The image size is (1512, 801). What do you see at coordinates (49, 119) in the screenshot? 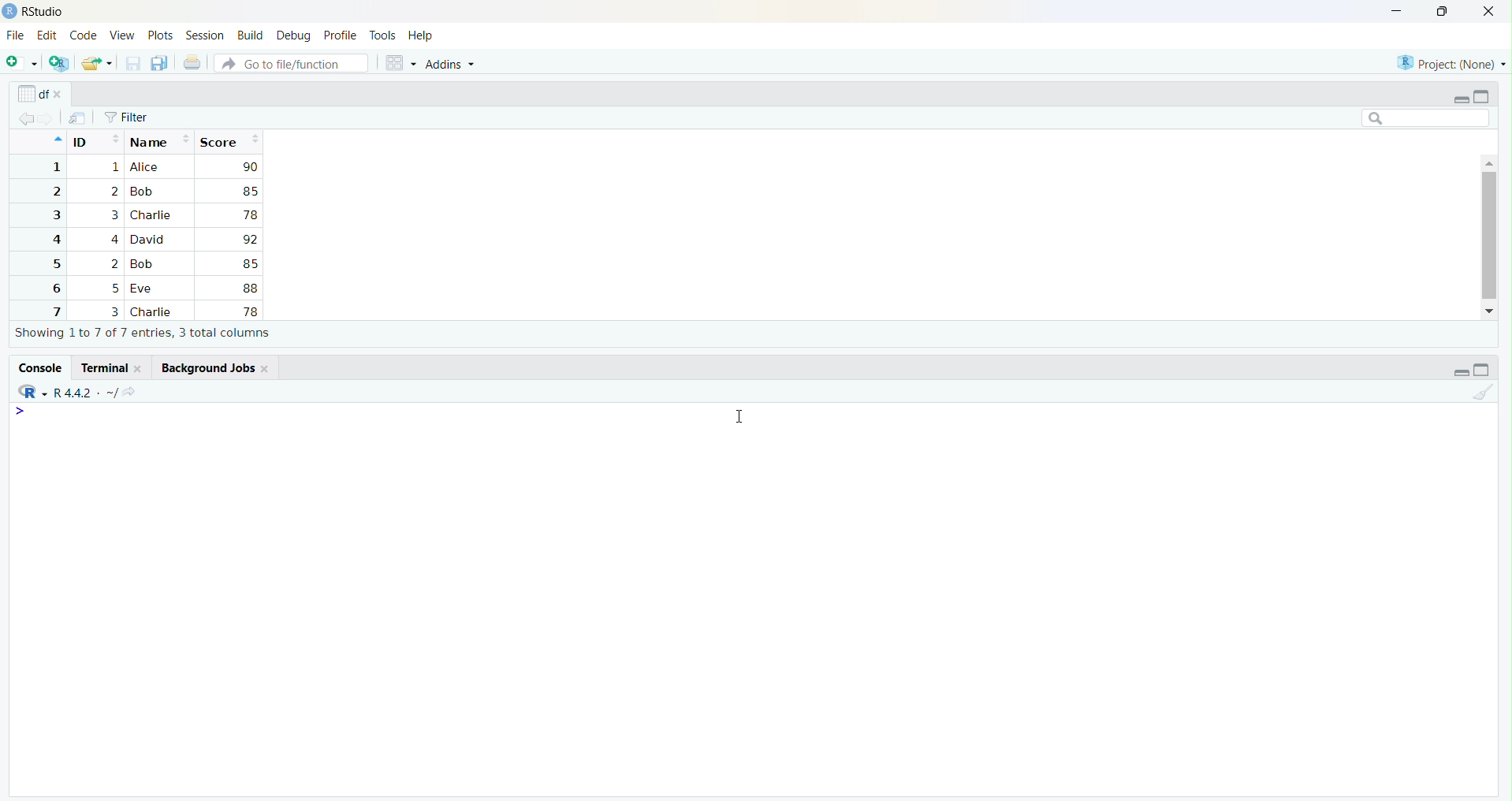
I see `forward` at bounding box center [49, 119].